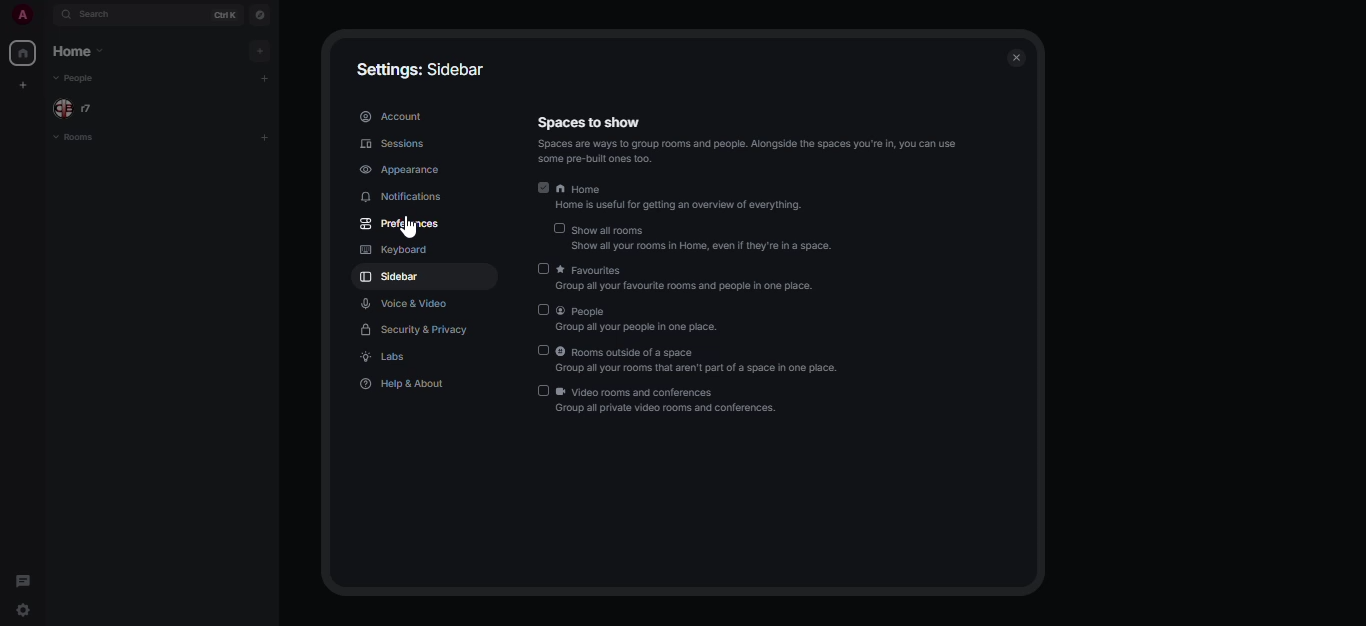 The height and width of the screenshot is (626, 1366). Describe the element at coordinates (391, 248) in the screenshot. I see `keyboard` at that location.